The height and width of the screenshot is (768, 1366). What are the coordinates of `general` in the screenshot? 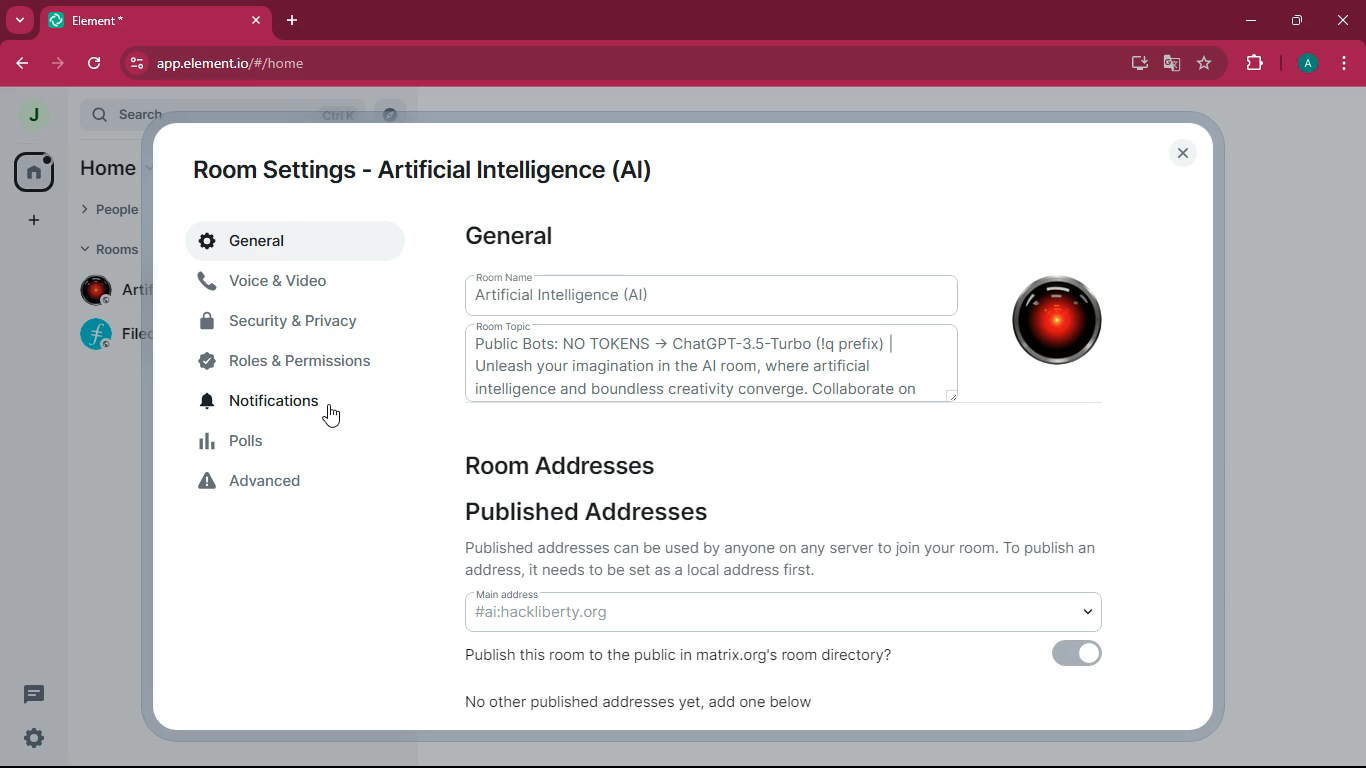 It's located at (516, 238).